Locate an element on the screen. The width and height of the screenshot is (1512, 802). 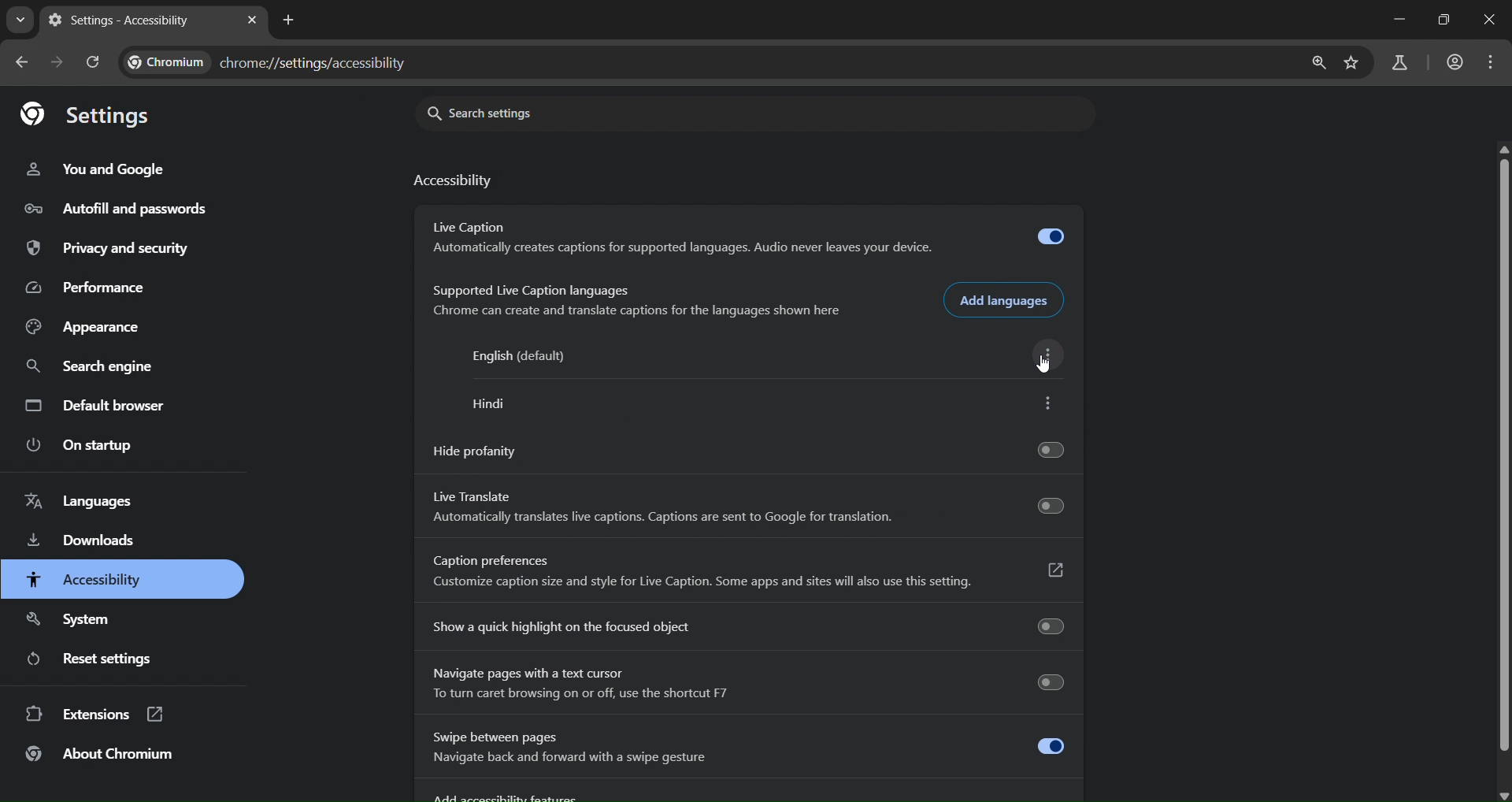
close tab is located at coordinates (250, 20).